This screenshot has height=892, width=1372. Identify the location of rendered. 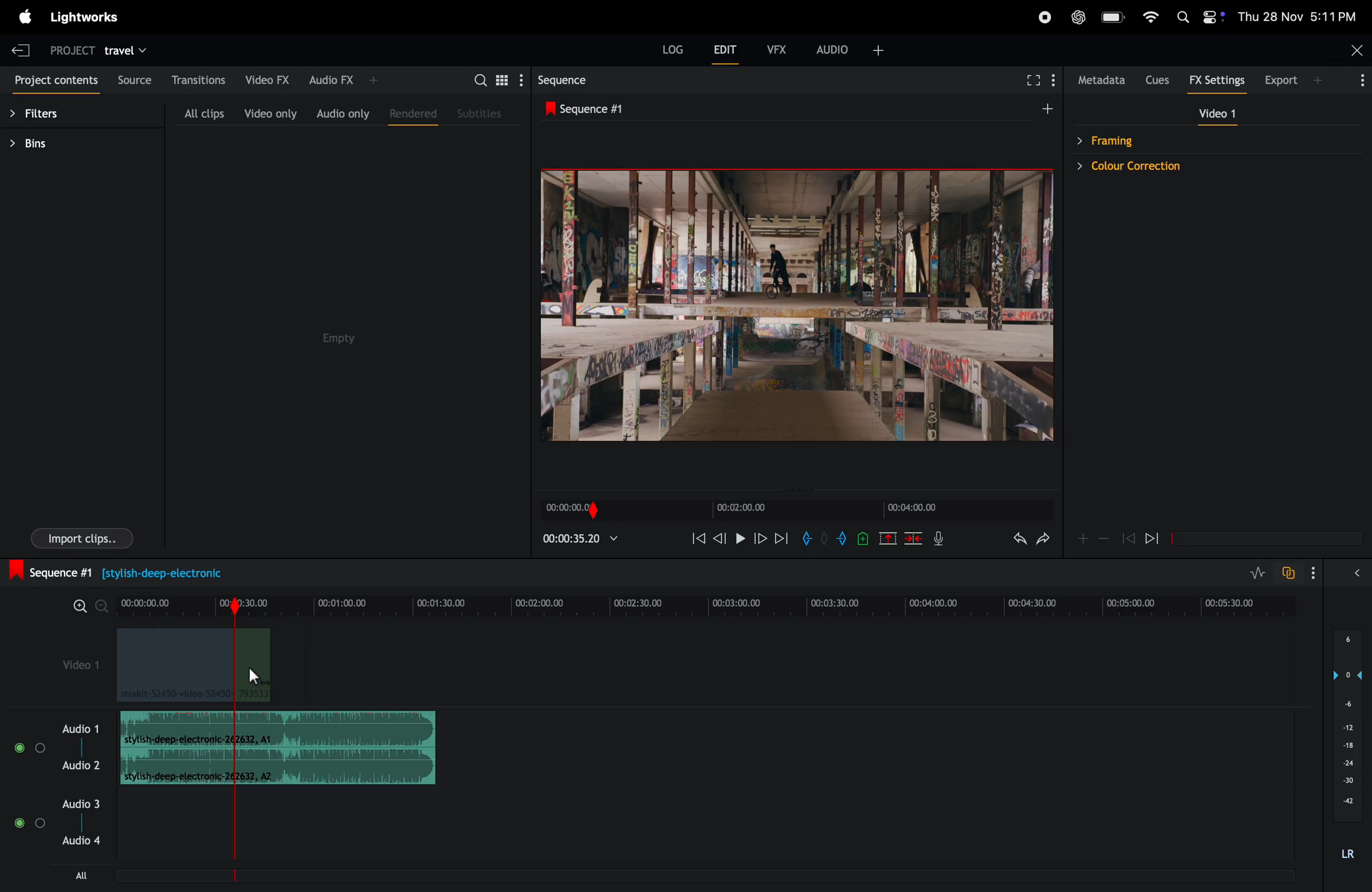
(410, 114).